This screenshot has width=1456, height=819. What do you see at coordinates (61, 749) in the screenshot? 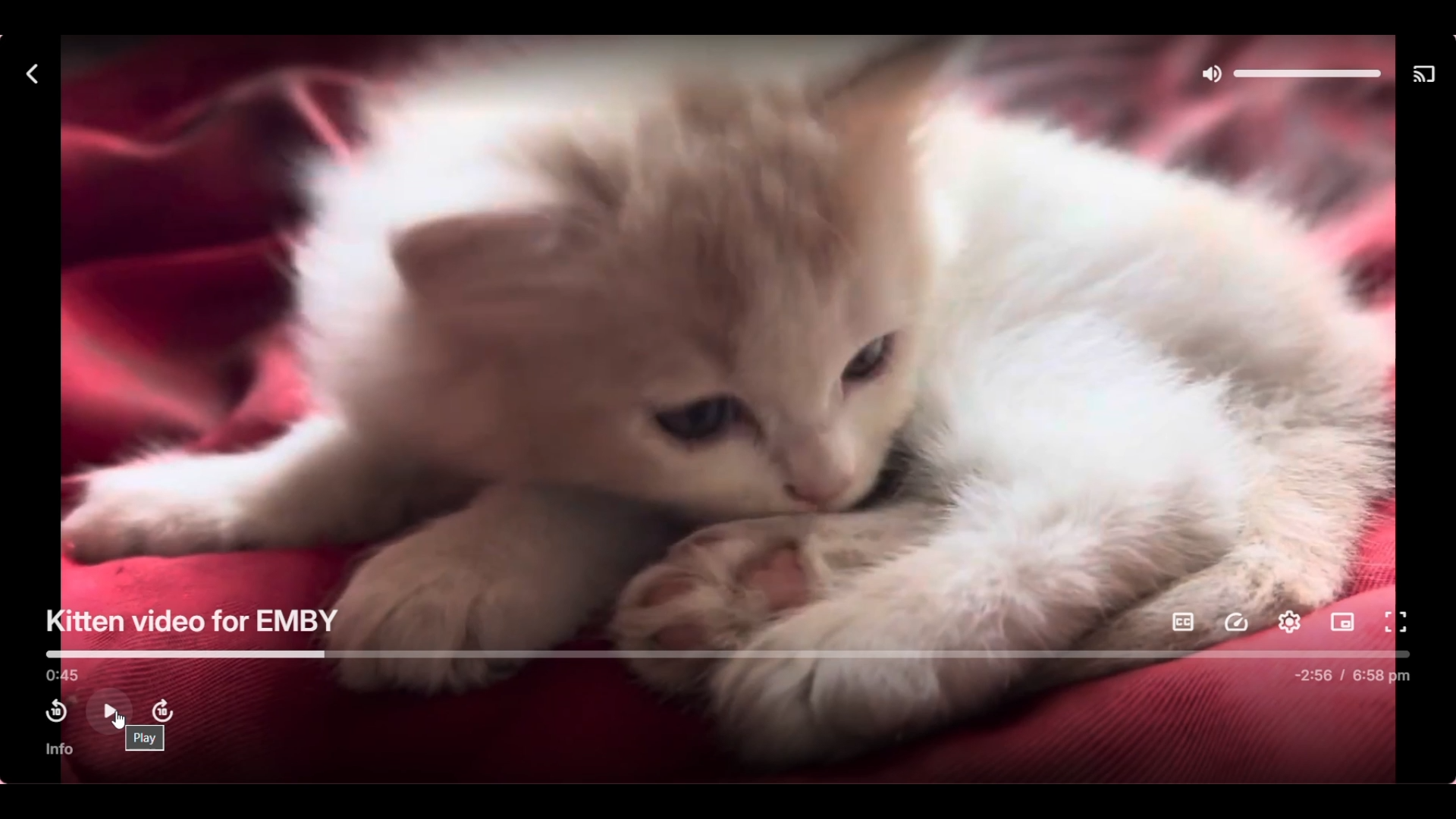
I see `info` at bounding box center [61, 749].